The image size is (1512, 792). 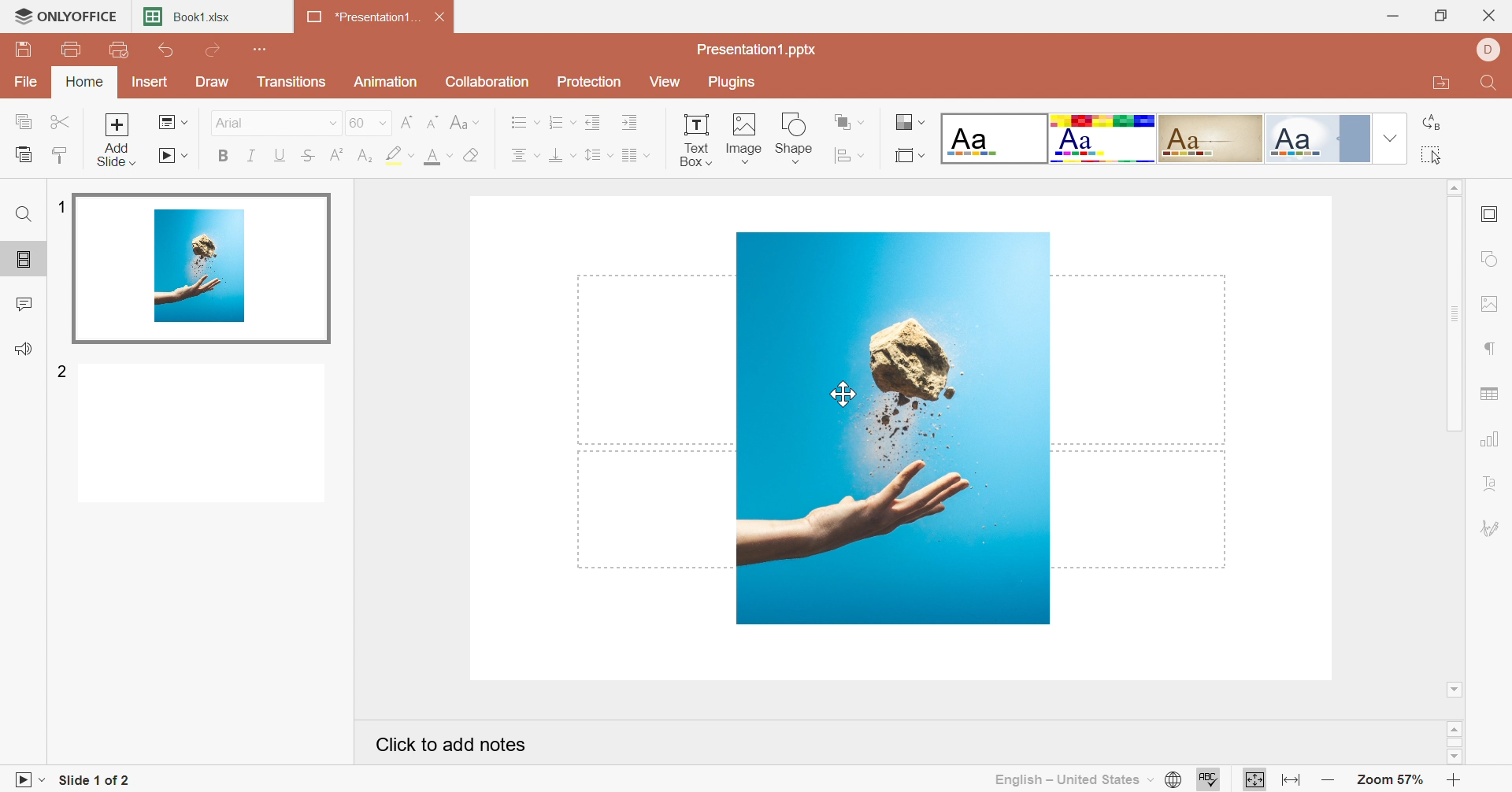 What do you see at coordinates (442, 15) in the screenshot?
I see `Close` at bounding box center [442, 15].